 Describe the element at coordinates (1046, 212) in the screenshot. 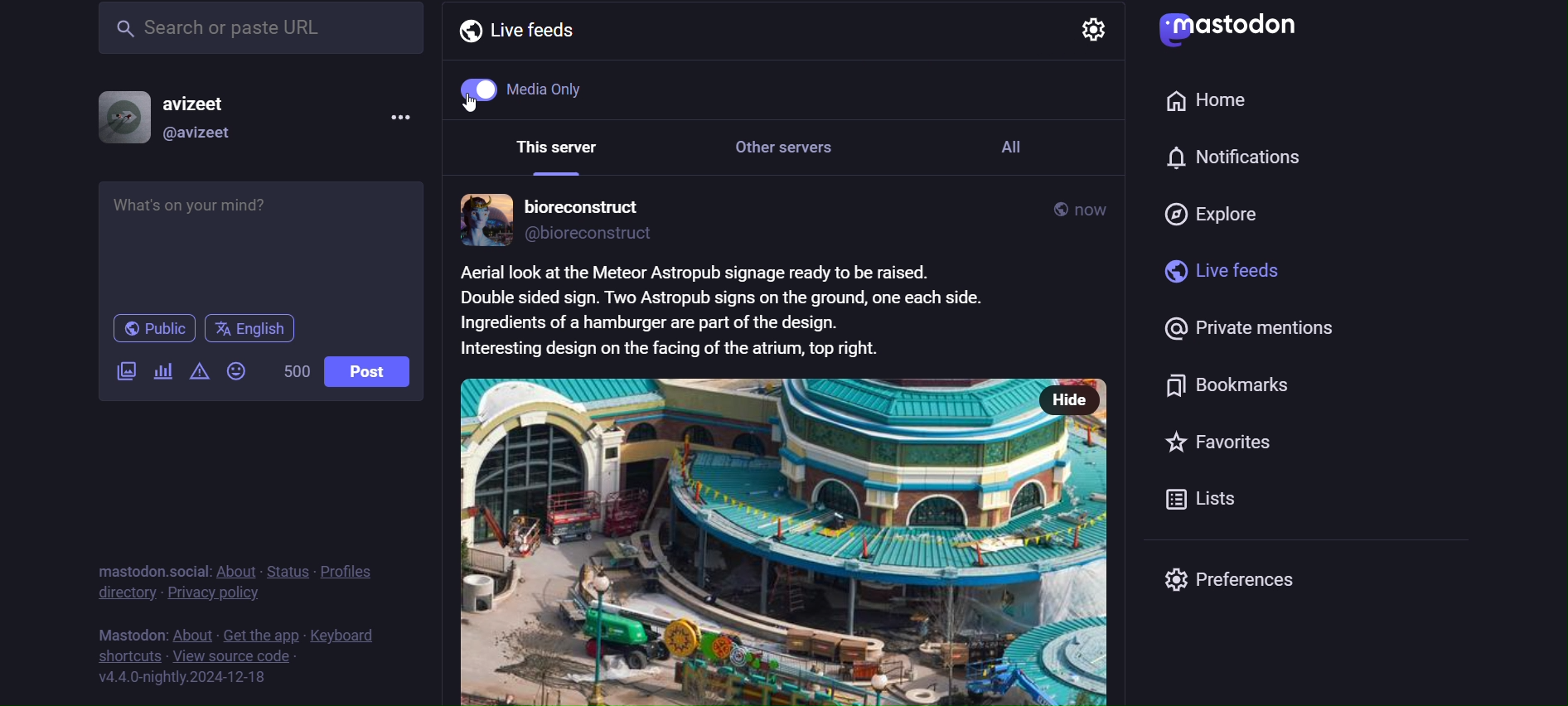

I see `public post` at that location.